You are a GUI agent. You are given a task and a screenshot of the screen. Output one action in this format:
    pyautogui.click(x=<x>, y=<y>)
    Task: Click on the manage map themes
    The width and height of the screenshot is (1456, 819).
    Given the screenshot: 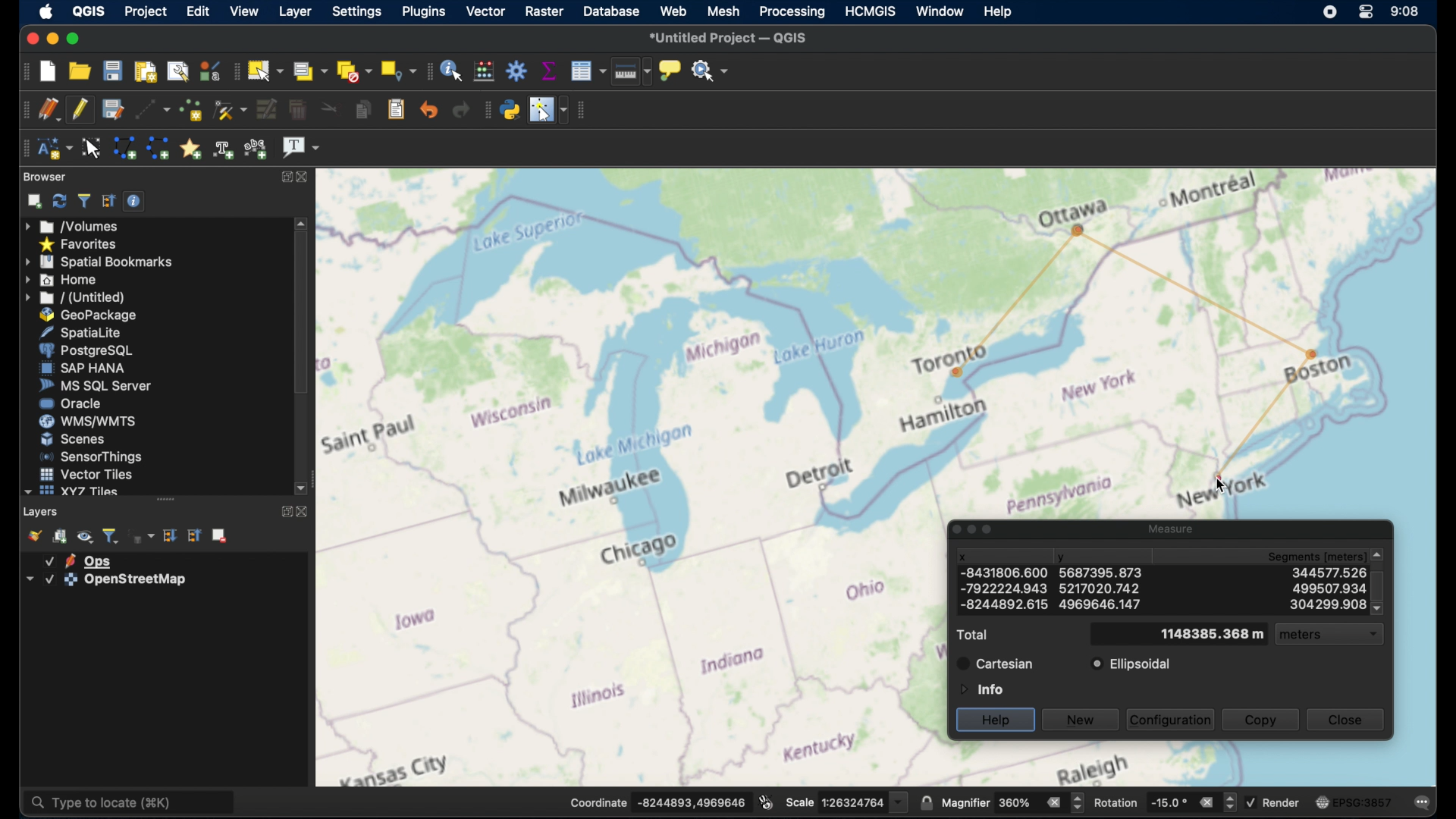 What is the action you would take?
    pyautogui.click(x=85, y=536)
    